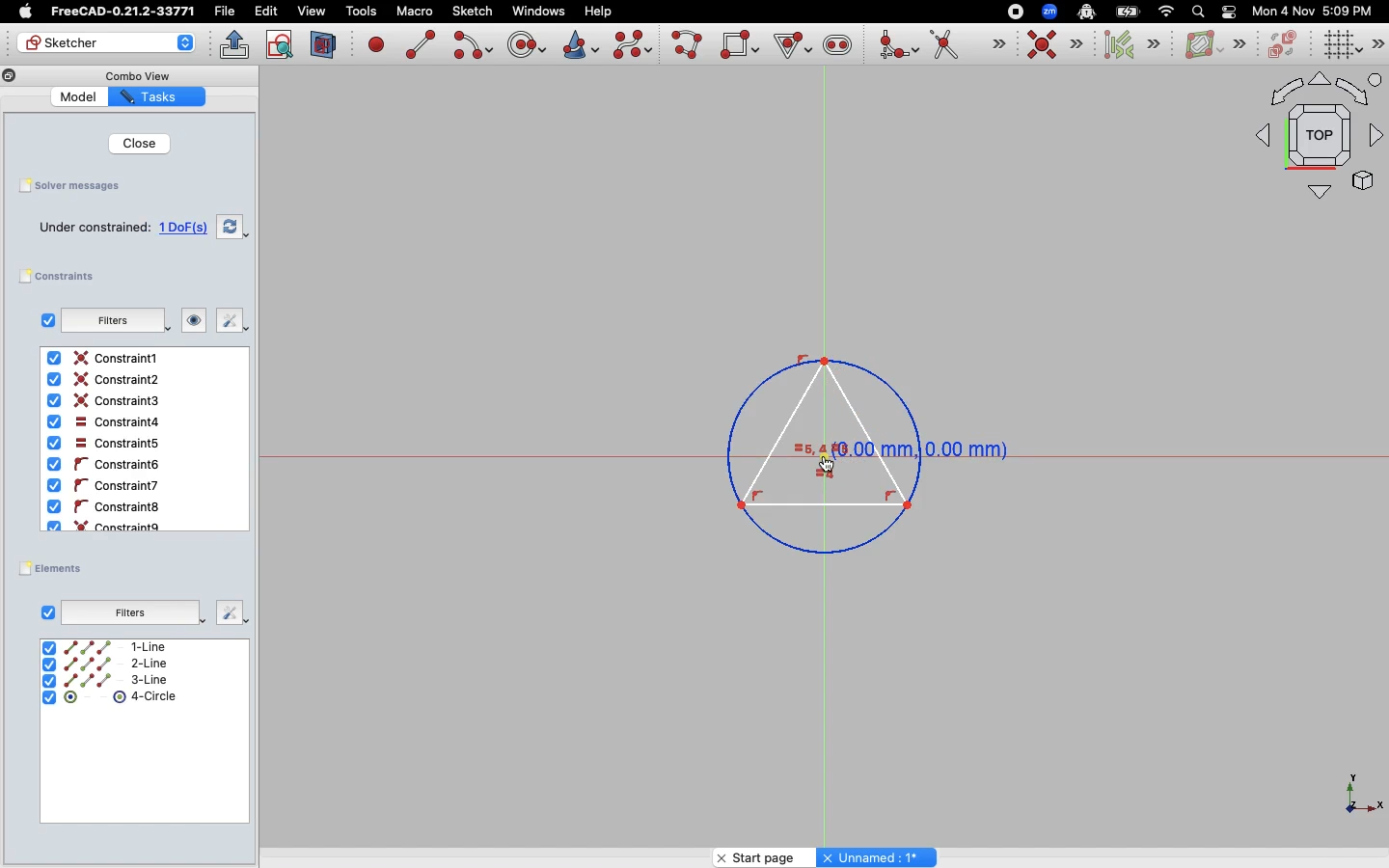 This screenshot has height=868, width=1389. What do you see at coordinates (1129, 44) in the screenshot?
I see `Select associated constraints` at bounding box center [1129, 44].